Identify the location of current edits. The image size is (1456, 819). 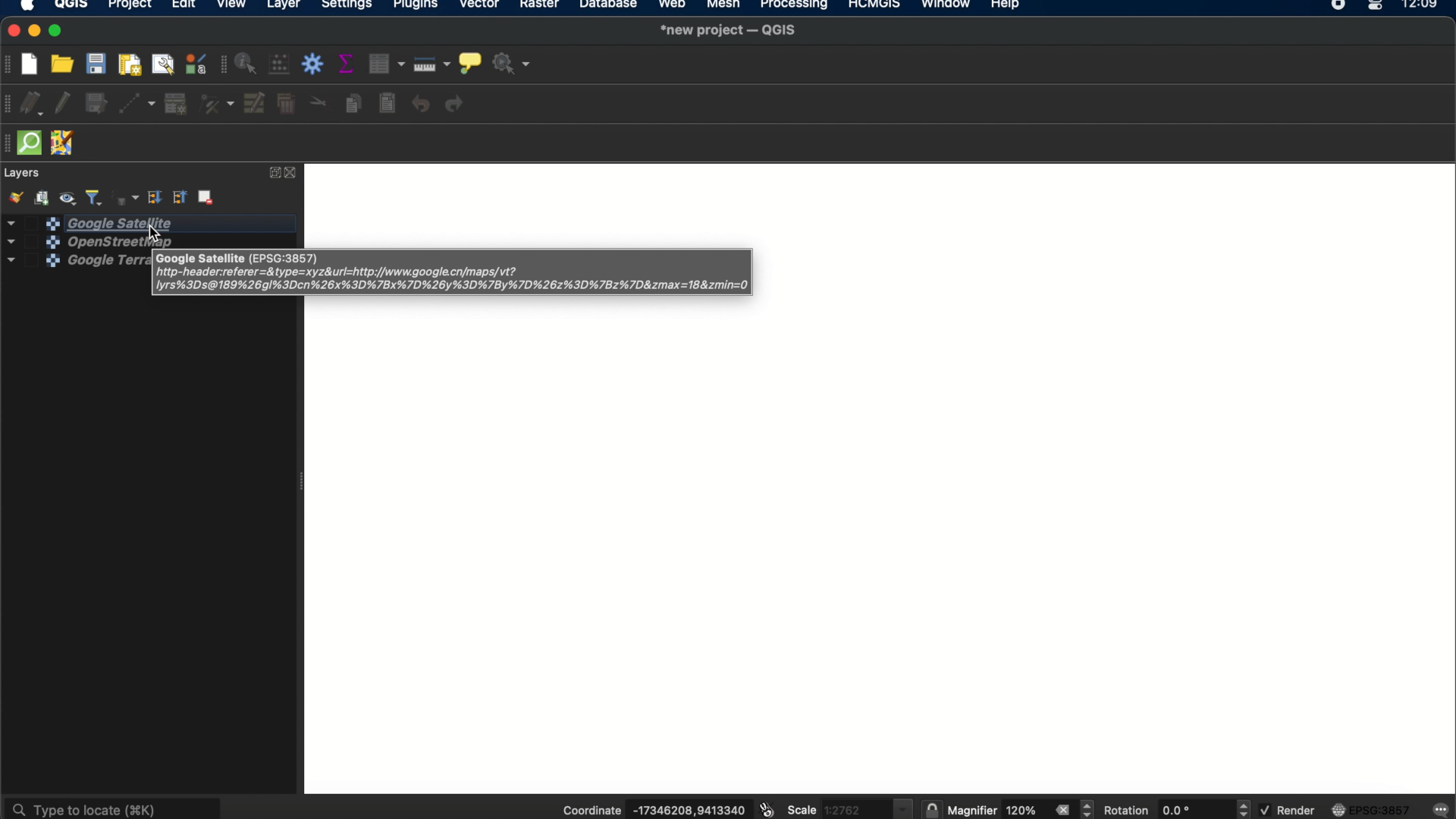
(36, 105).